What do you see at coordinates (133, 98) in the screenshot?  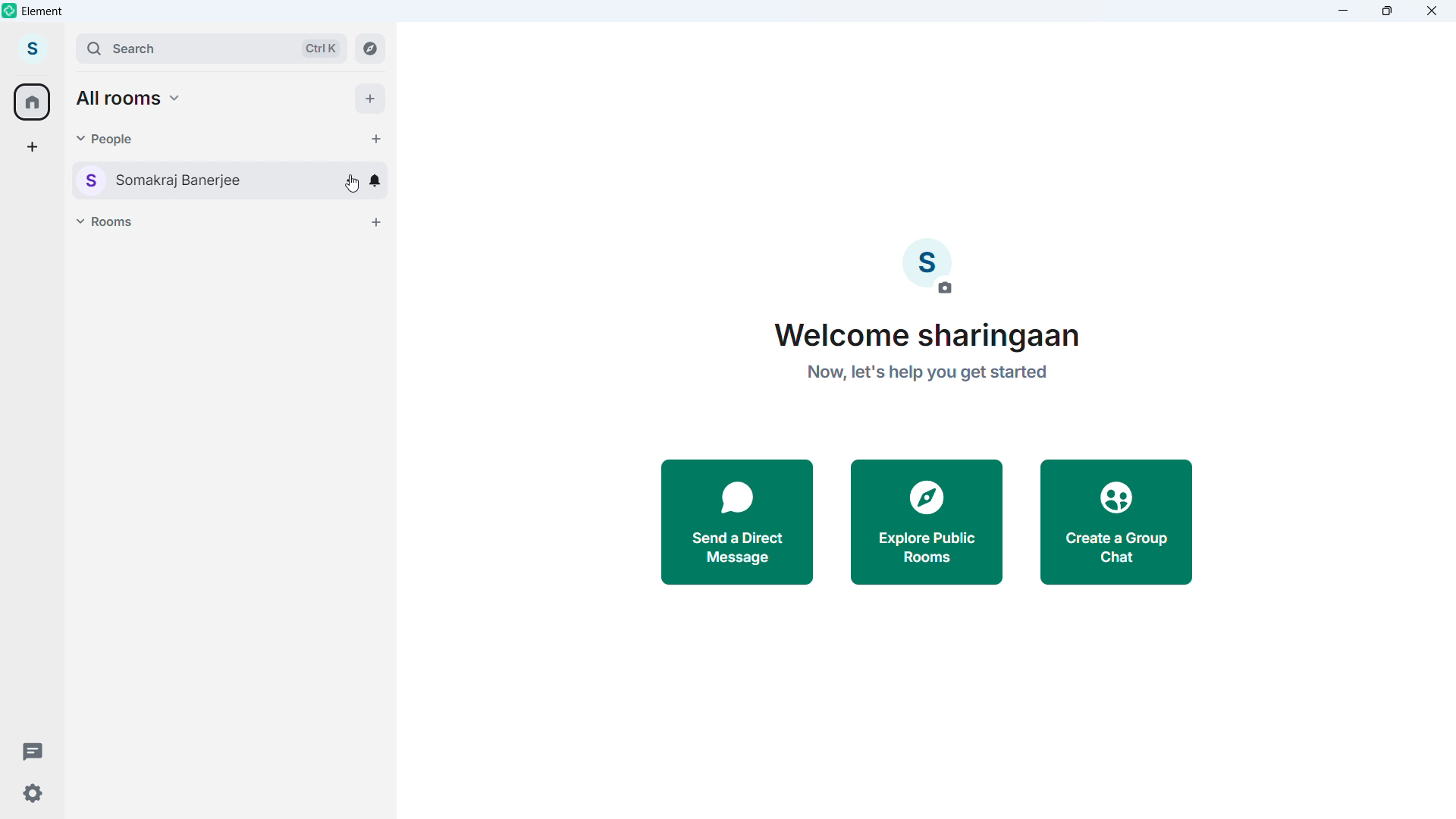 I see `all rooms` at bounding box center [133, 98].